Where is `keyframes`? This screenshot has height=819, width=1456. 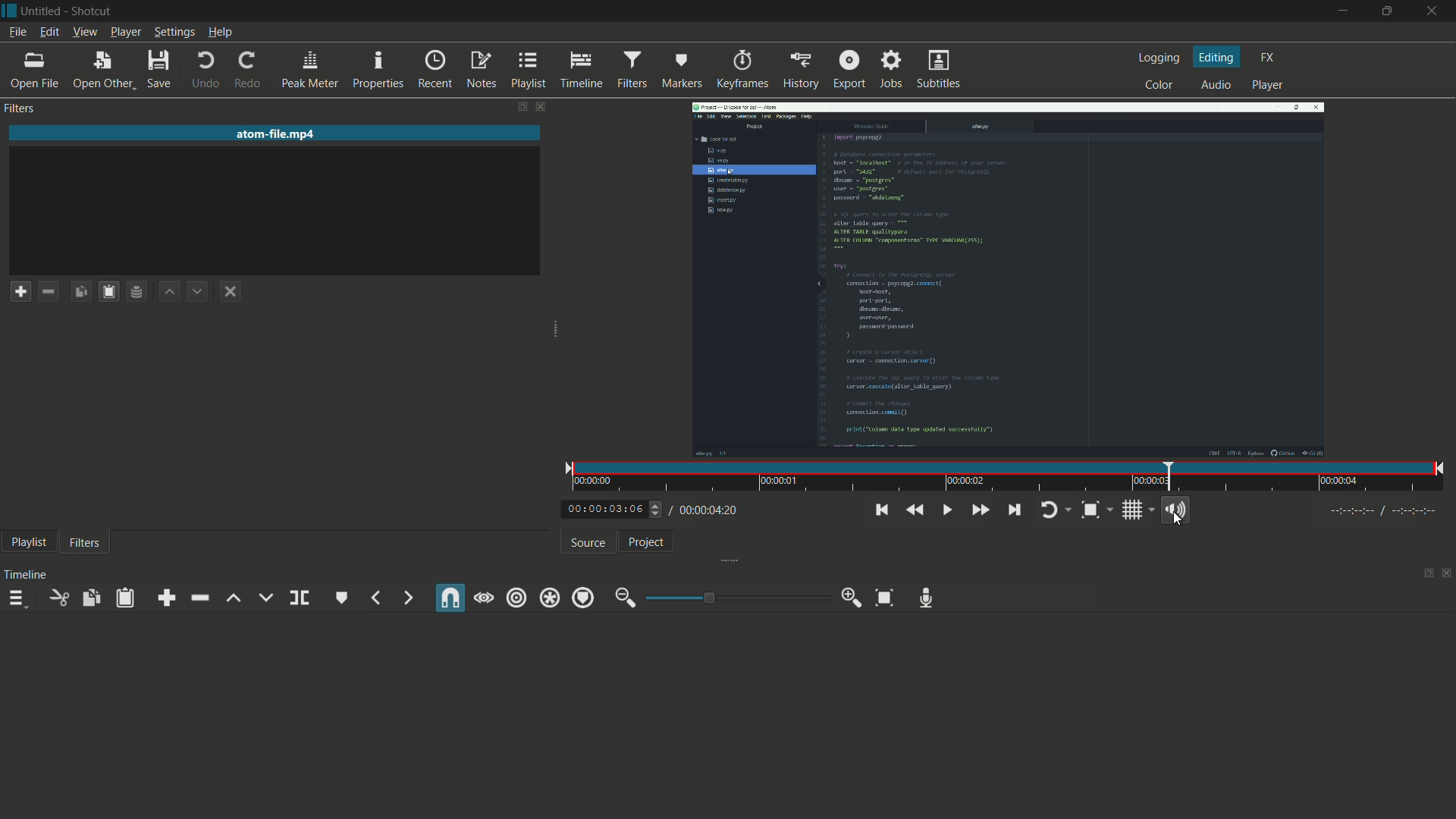 keyframes is located at coordinates (742, 71).